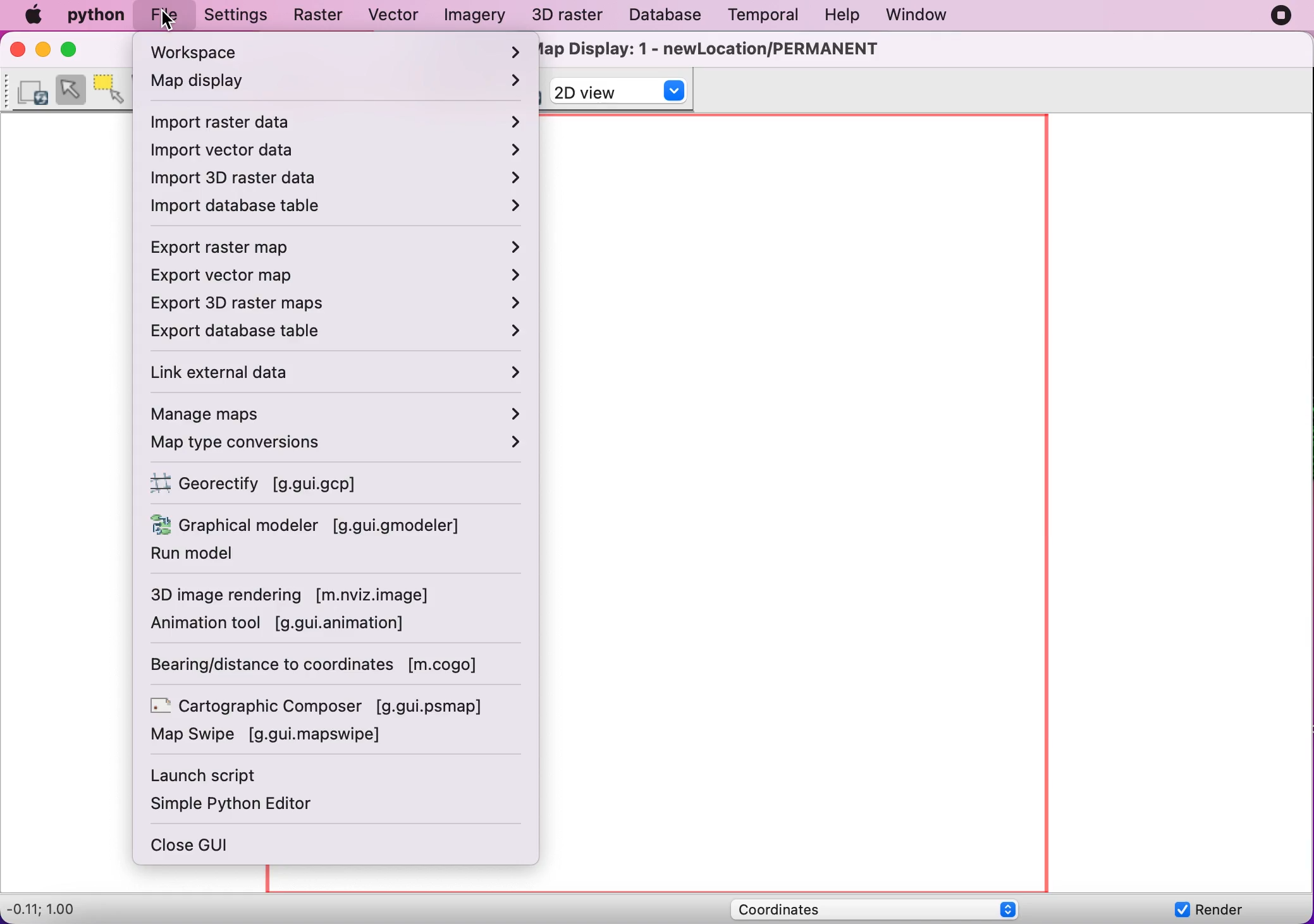 This screenshot has width=1314, height=924. I want to click on simple python editor, so click(244, 806).